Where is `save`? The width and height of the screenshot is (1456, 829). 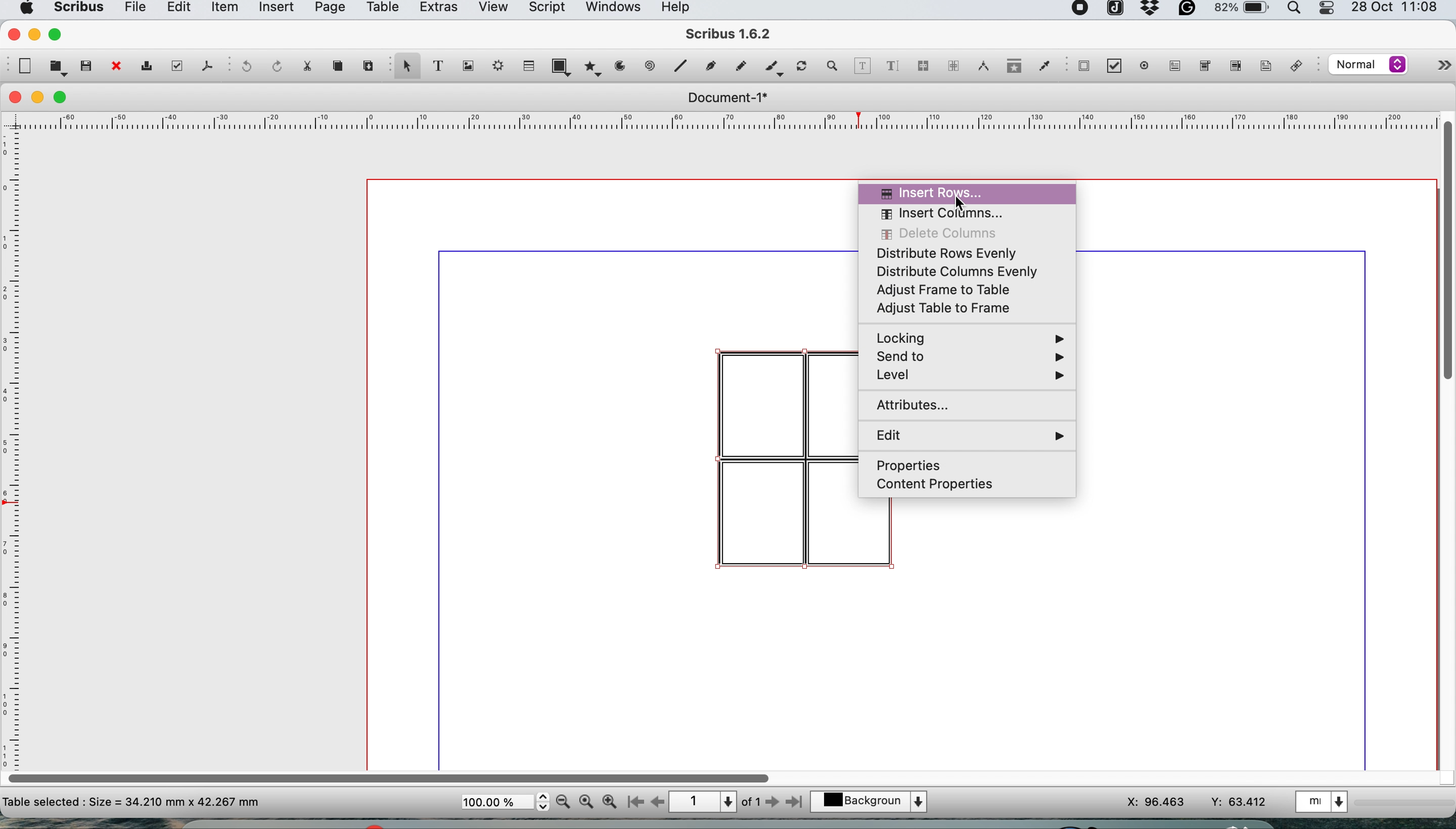 save is located at coordinates (87, 65).